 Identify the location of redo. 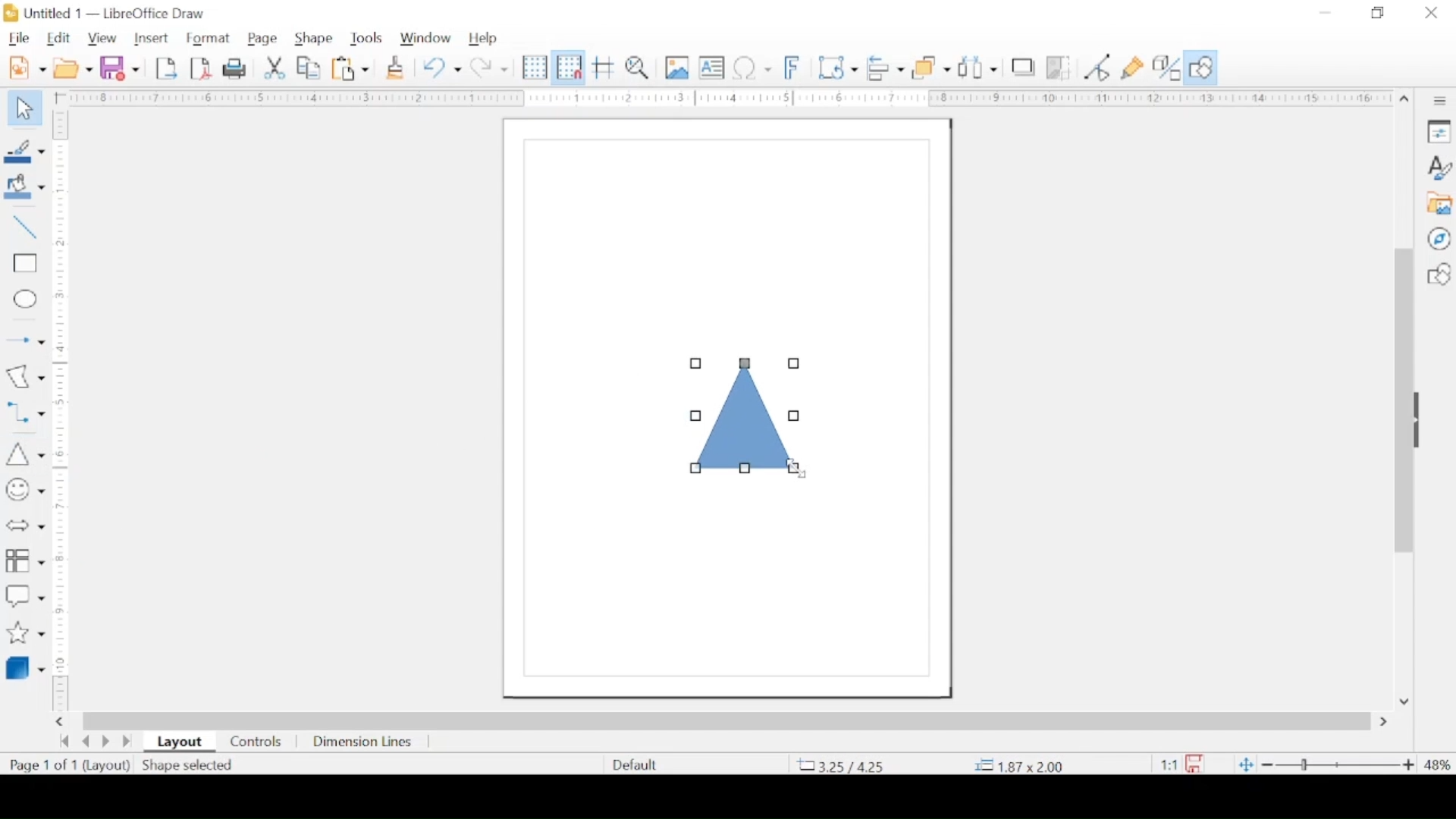
(491, 67).